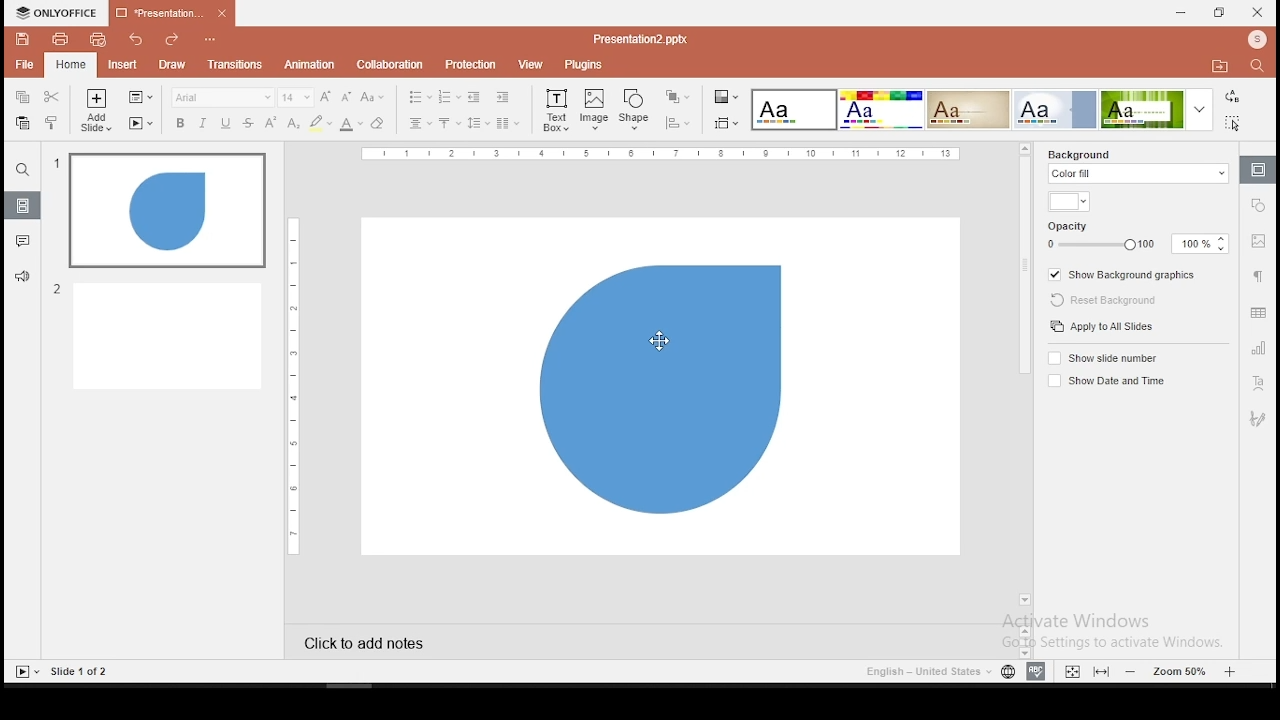 The width and height of the screenshot is (1280, 720). Describe the element at coordinates (1132, 671) in the screenshot. I see `zoom in` at that location.